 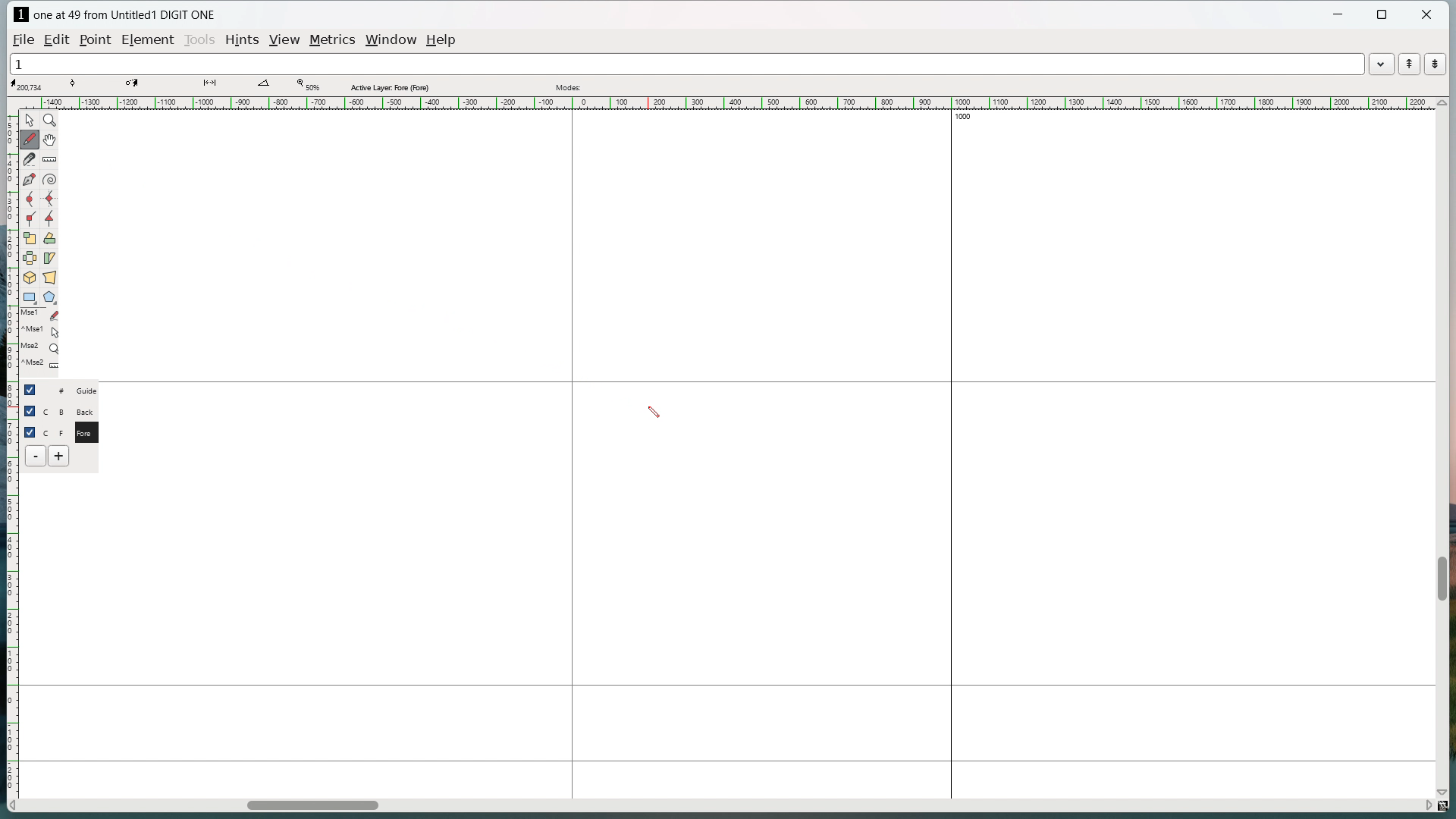 I want to click on last used tools, so click(x=39, y=343).